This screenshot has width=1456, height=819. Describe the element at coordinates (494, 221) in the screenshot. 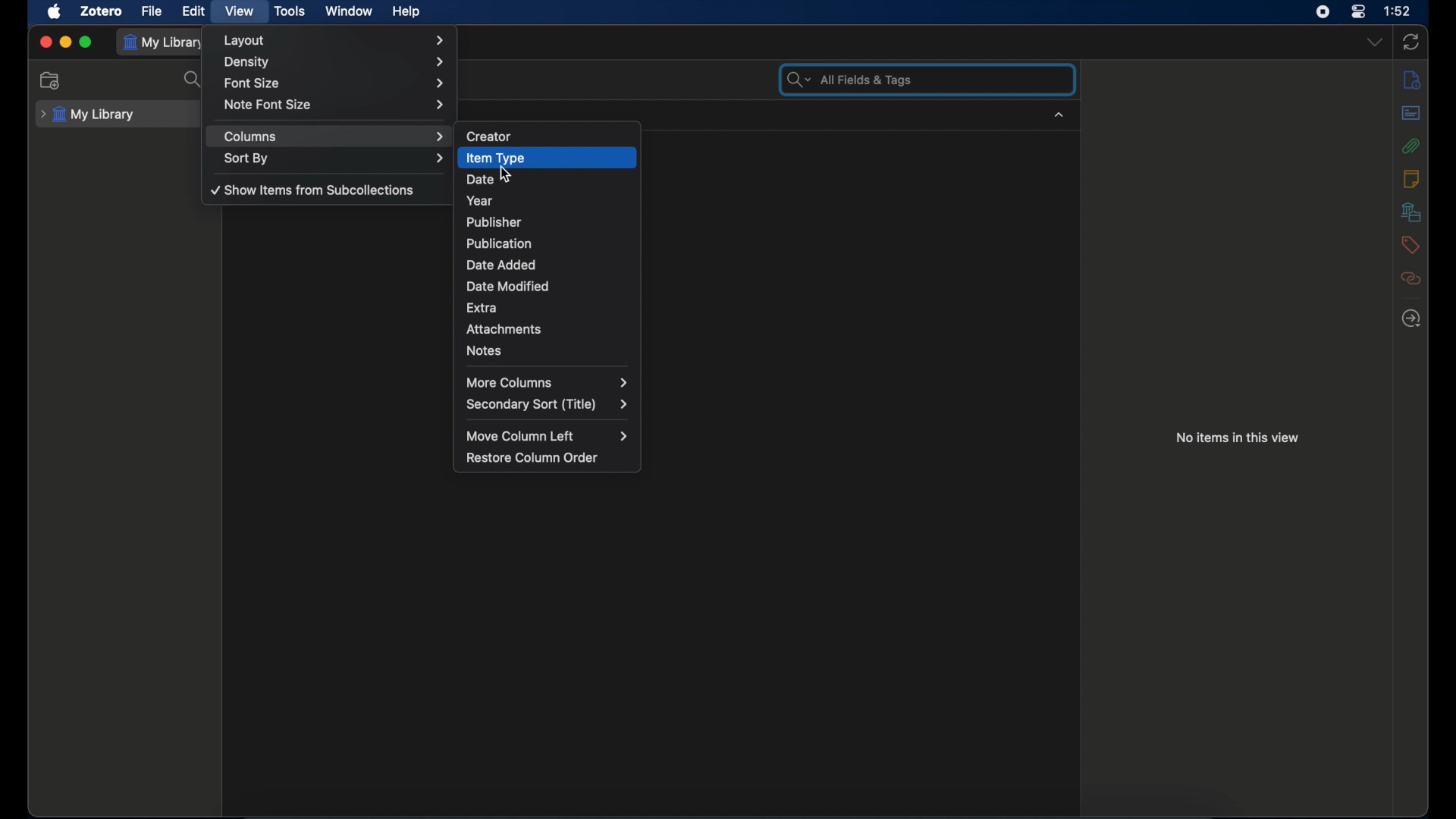

I see `publisher` at that location.